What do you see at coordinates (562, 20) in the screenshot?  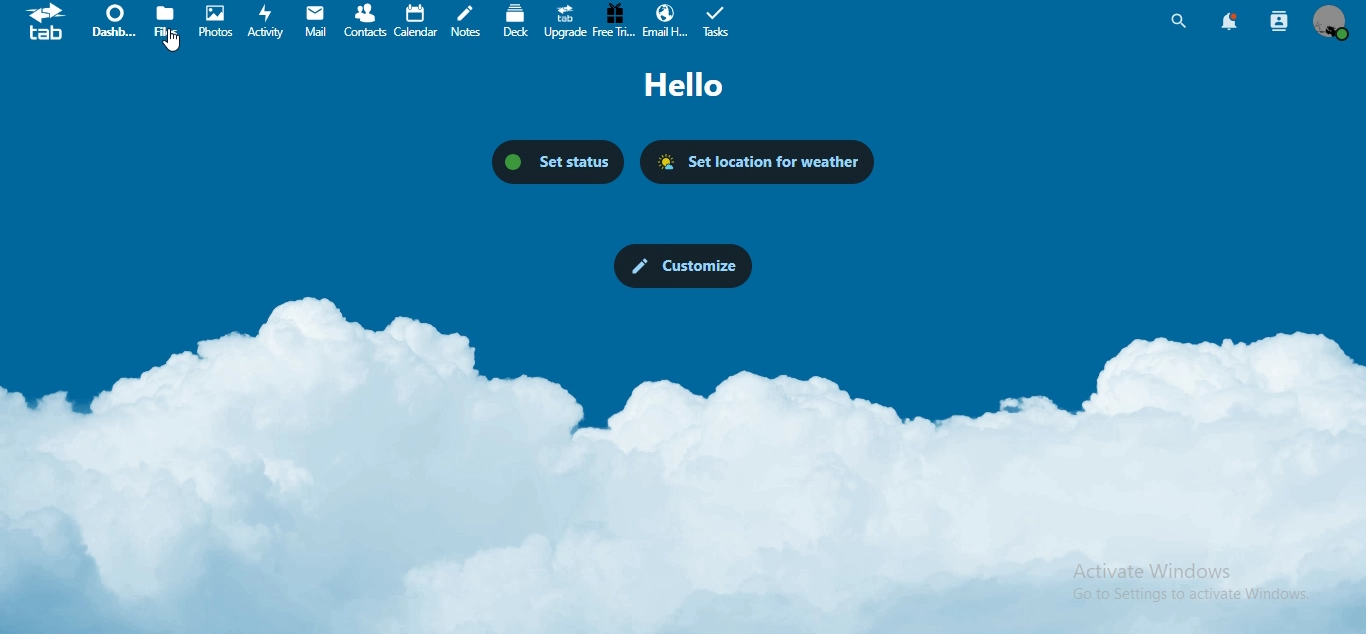 I see `upgrade trial` at bounding box center [562, 20].